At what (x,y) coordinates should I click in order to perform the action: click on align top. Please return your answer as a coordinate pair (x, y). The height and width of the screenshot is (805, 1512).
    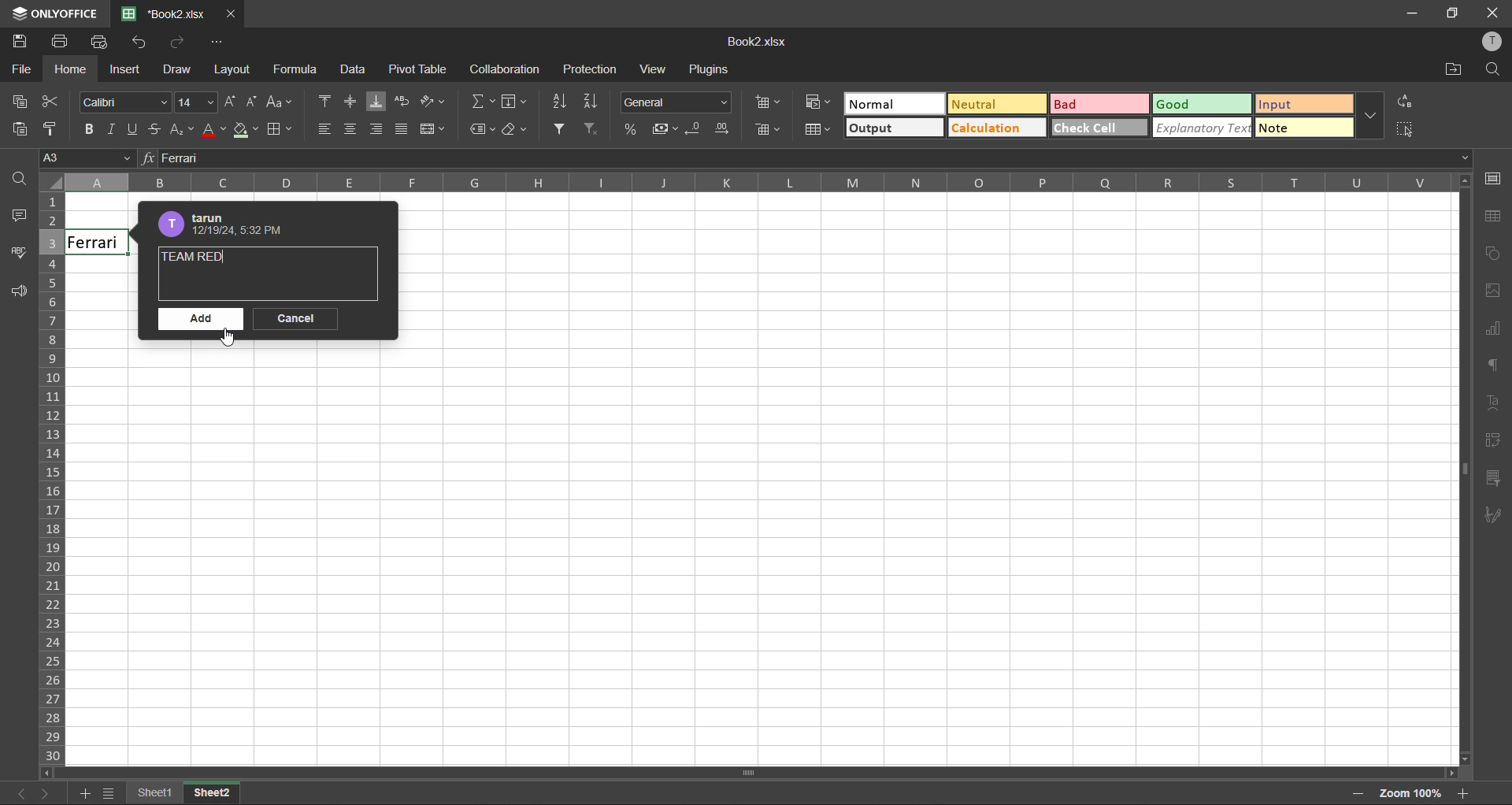
    Looking at the image, I should click on (321, 102).